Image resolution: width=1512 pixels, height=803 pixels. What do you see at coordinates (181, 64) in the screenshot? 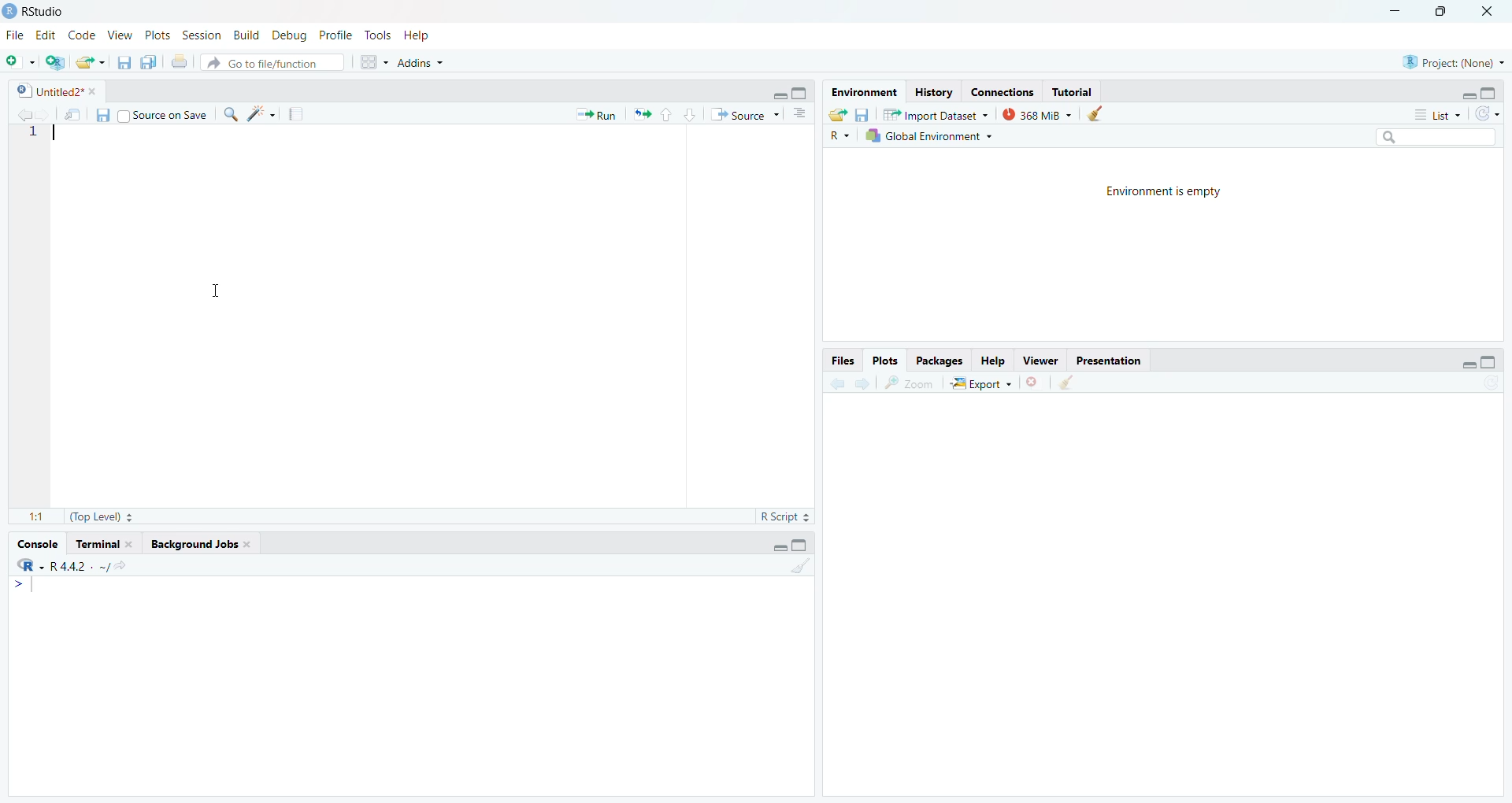
I see `print` at bounding box center [181, 64].